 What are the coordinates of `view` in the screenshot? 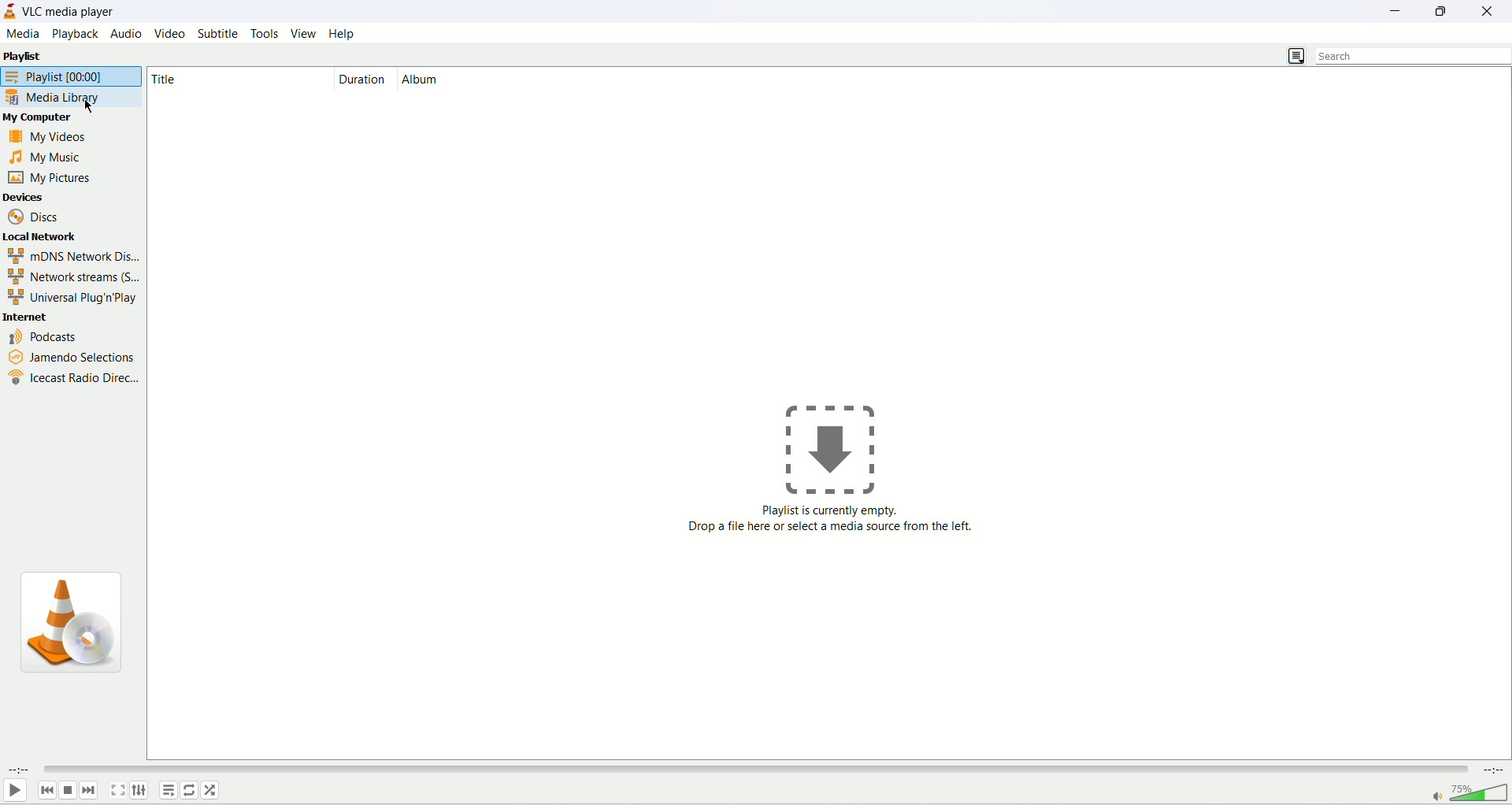 It's located at (302, 32).